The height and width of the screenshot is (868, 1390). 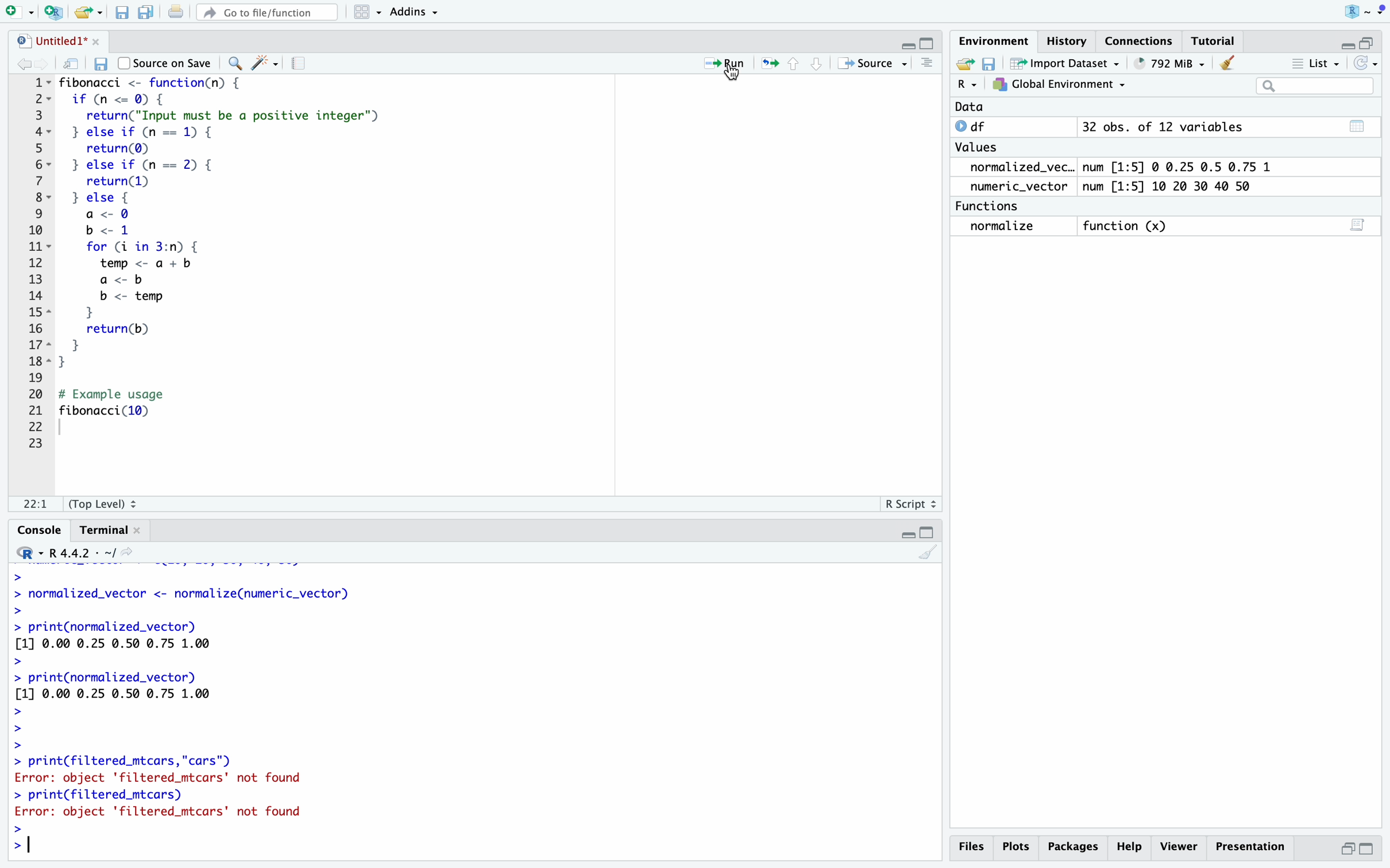 I want to click on tutorial, so click(x=1218, y=38).